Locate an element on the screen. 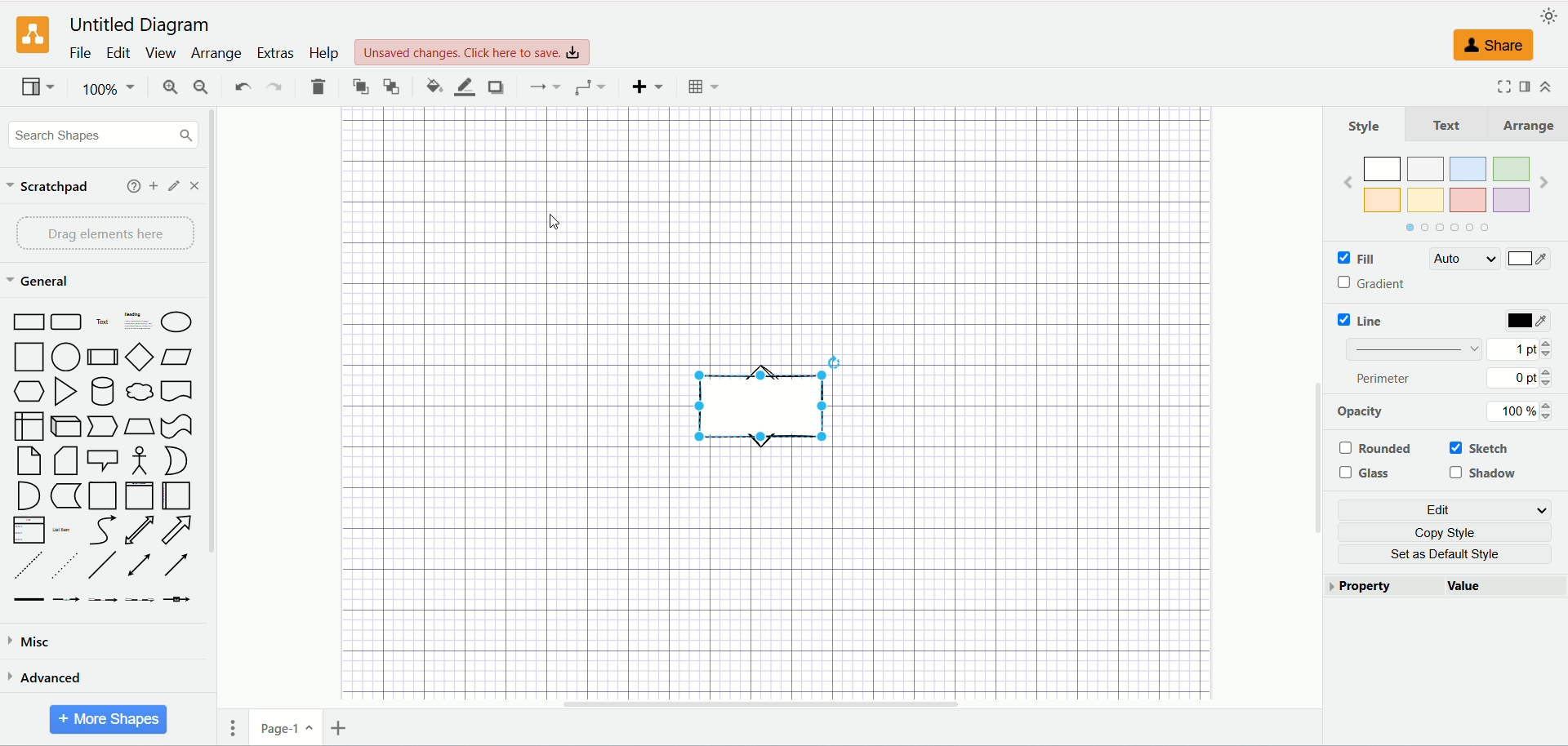  vertical scroll bar is located at coordinates (212, 426).